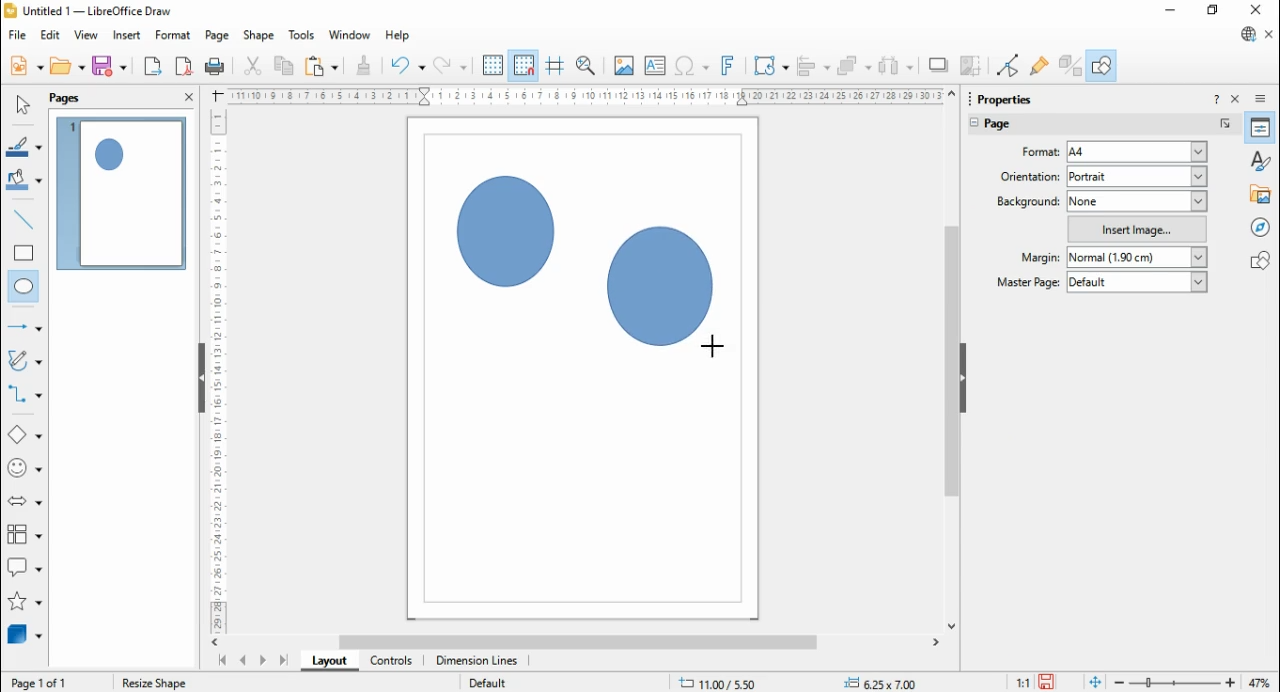  What do you see at coordinates (126, 36) in the screenshot?
I see `insert` at bounding box center [126, 36].